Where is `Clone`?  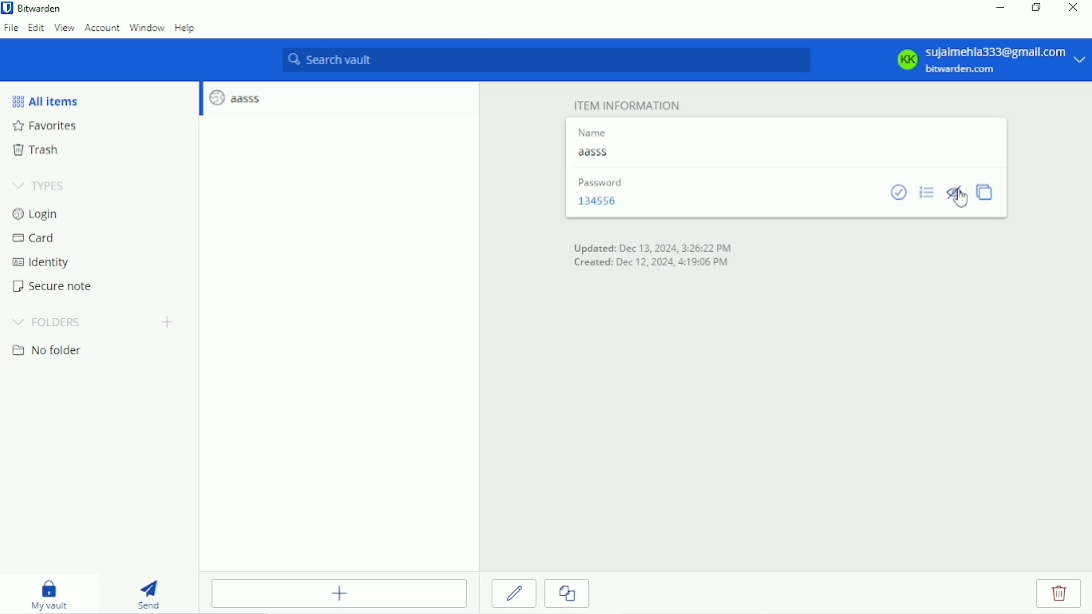
Clone is located at coordinates (567, 593).